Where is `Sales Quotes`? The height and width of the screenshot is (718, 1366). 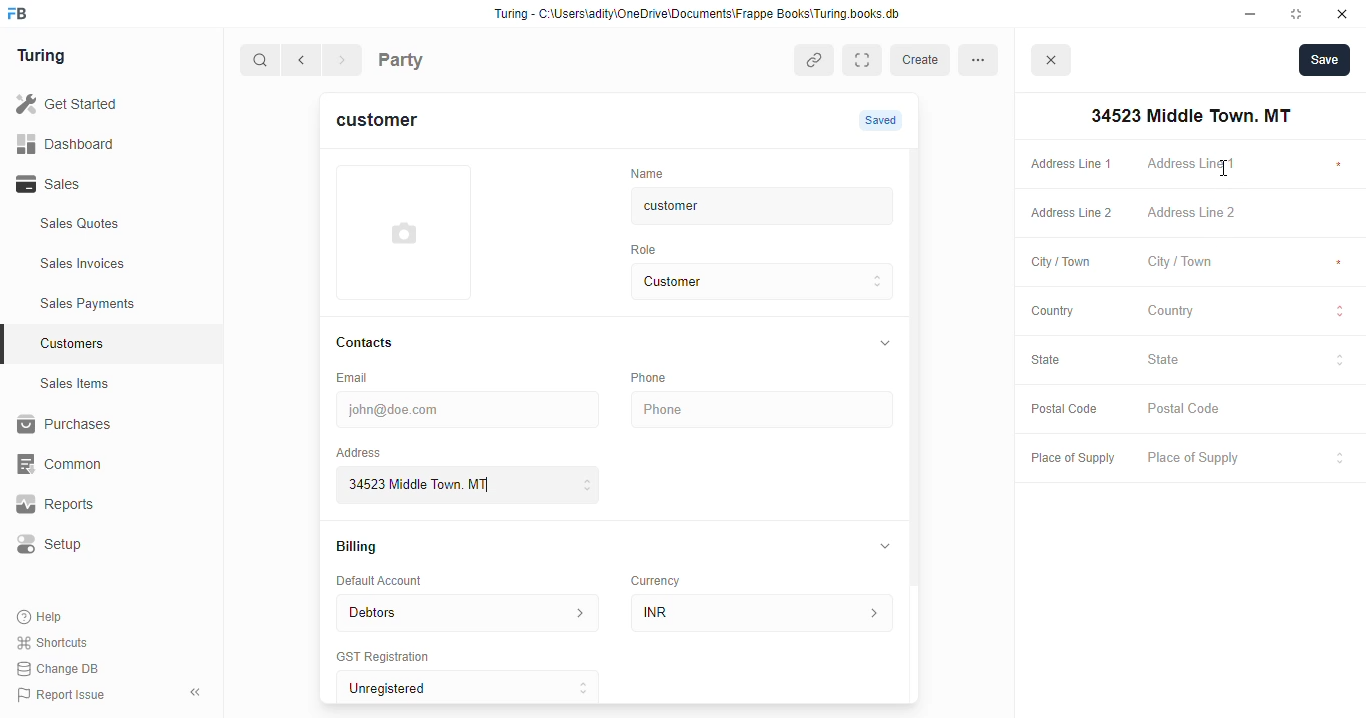 Sales Quotes is located at coordinates (107, 226).